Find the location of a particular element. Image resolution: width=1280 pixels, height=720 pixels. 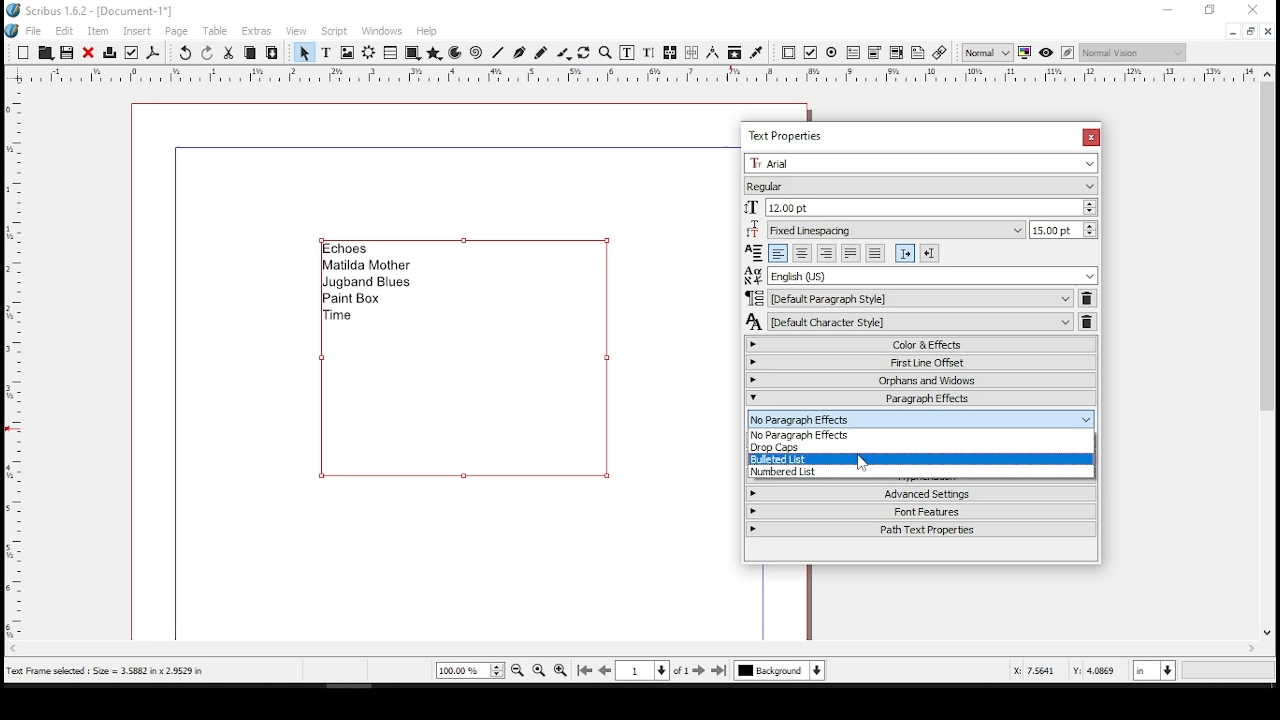

select layer is located at coordinates (780, 670).